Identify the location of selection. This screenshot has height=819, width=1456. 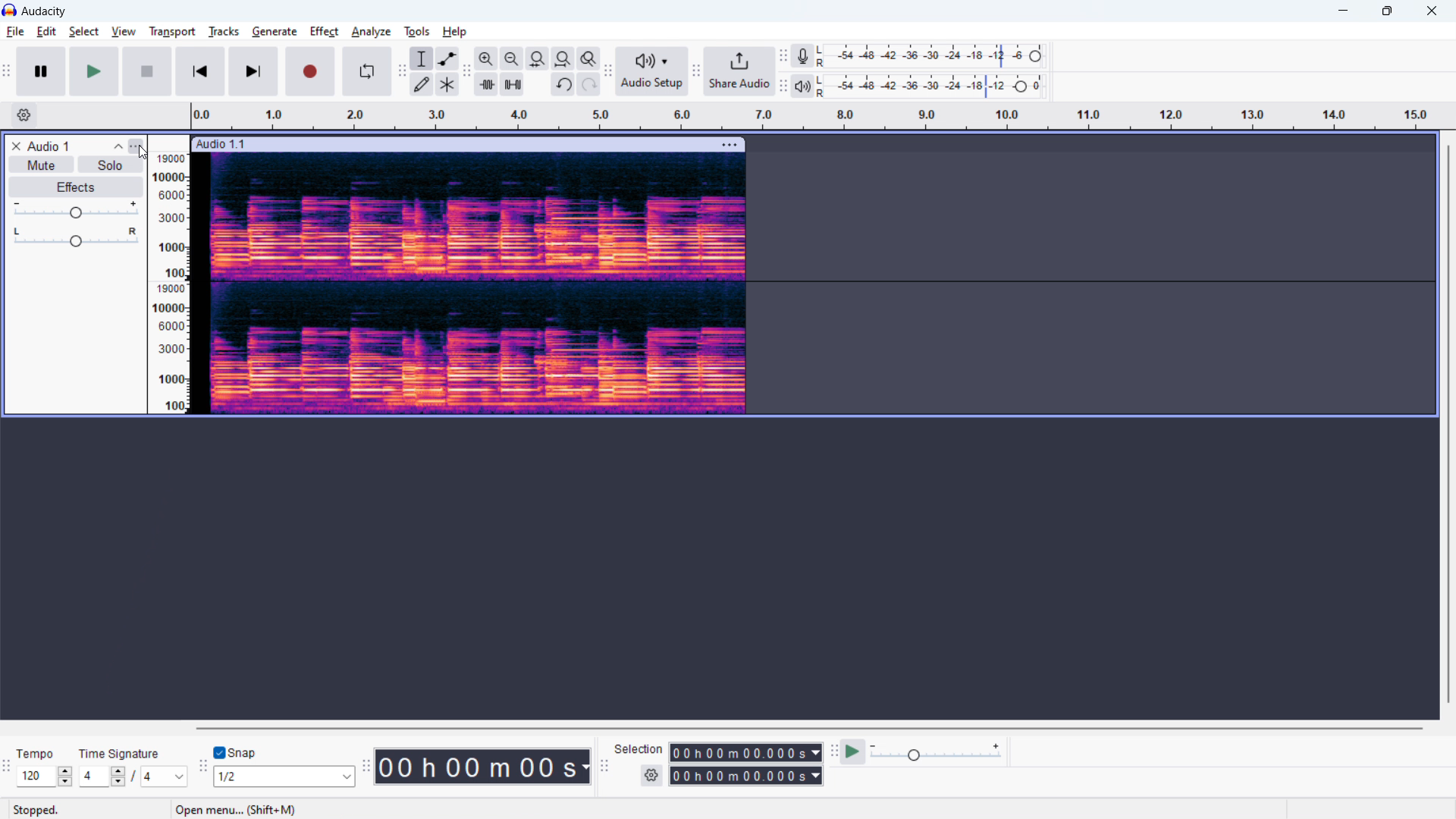
(640, 748).